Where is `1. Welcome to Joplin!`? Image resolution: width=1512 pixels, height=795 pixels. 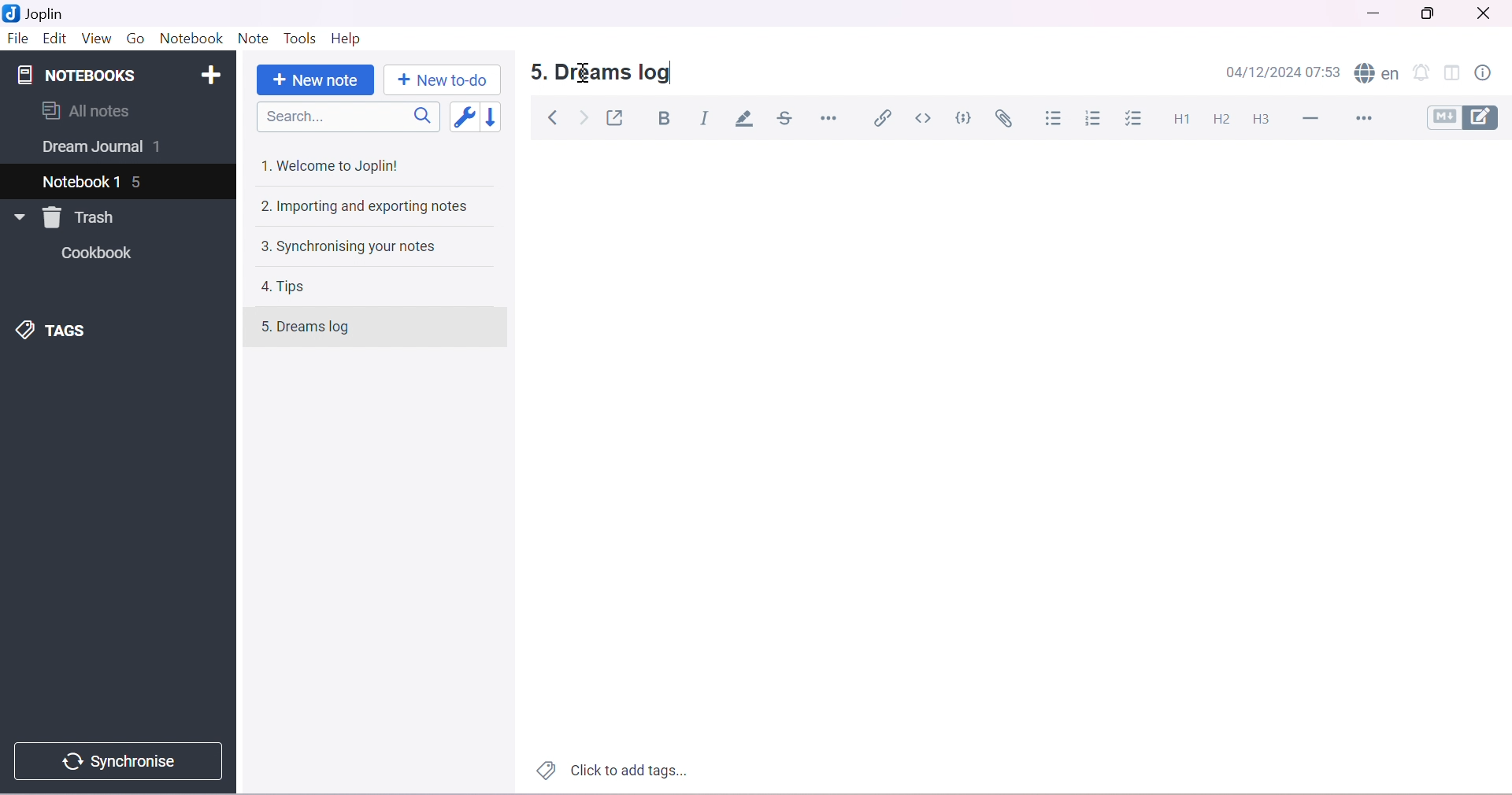 1. Welcome to Joplin! is located at coordinates (335, 165).